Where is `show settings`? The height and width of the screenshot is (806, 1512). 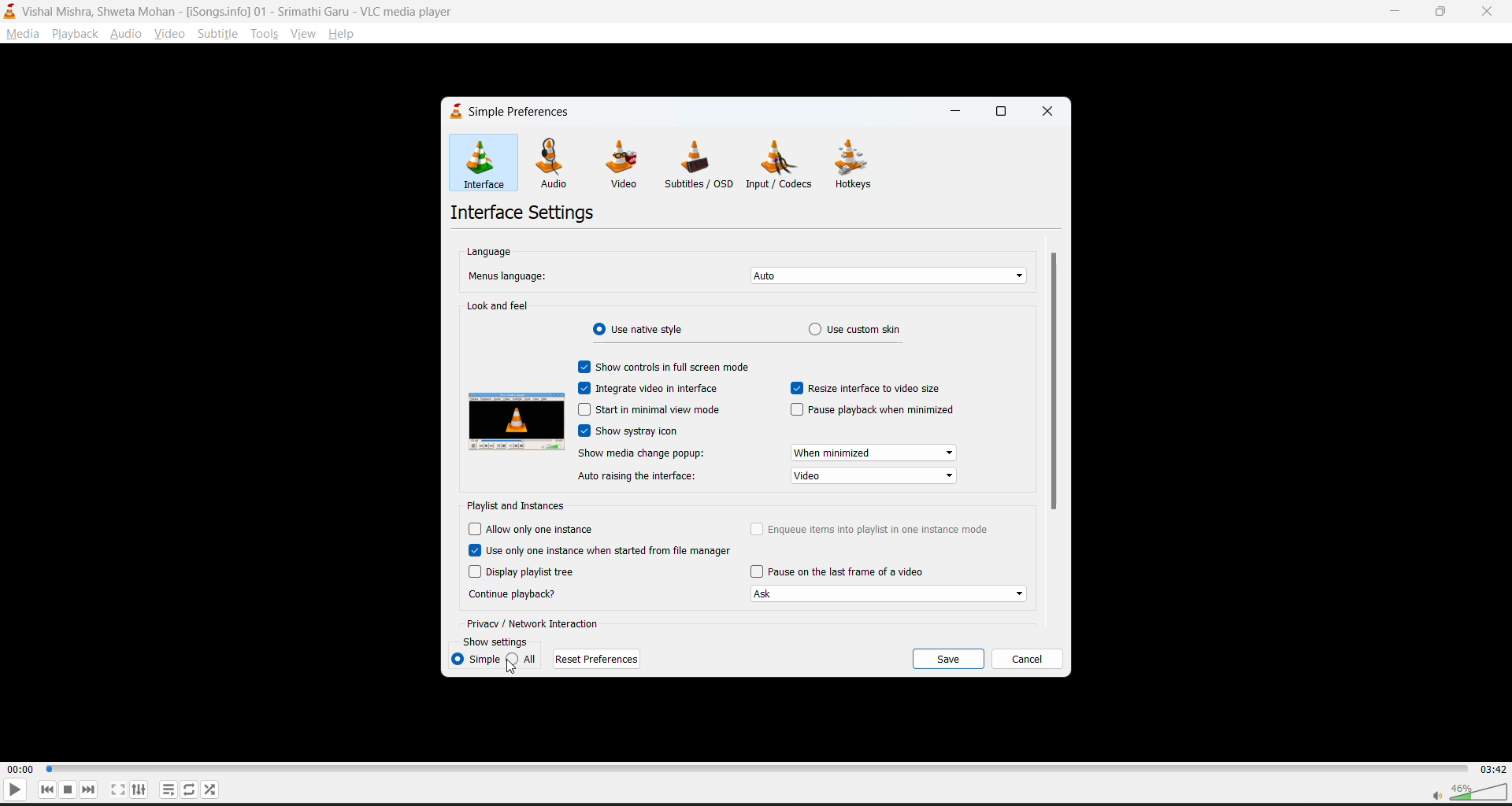
show settings is located at coordinates (495, 642).